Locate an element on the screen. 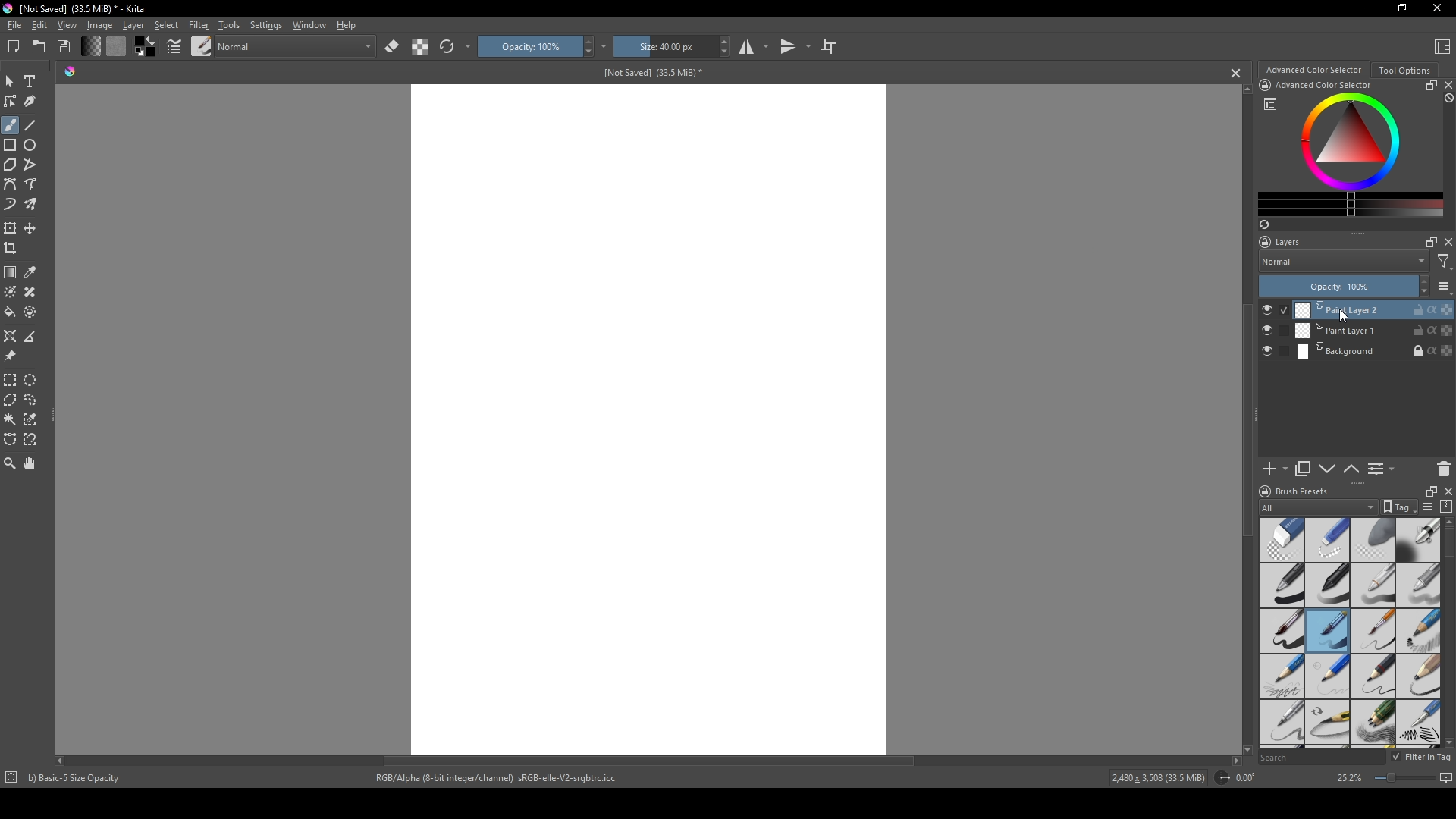  Filter is located at coordinates (198, 25).